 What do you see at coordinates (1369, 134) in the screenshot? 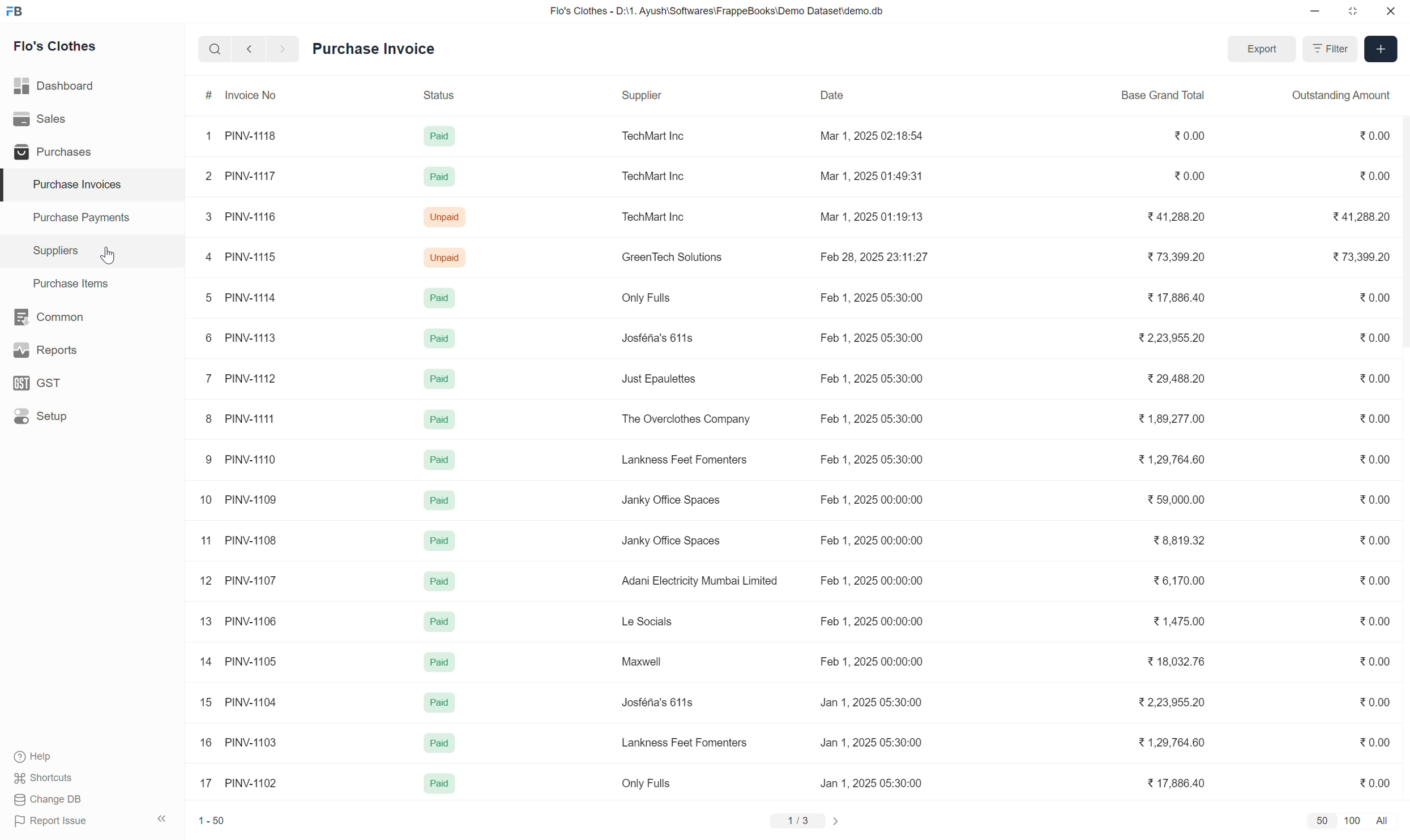
I see `20.00` at bounding box center [1369, 134].